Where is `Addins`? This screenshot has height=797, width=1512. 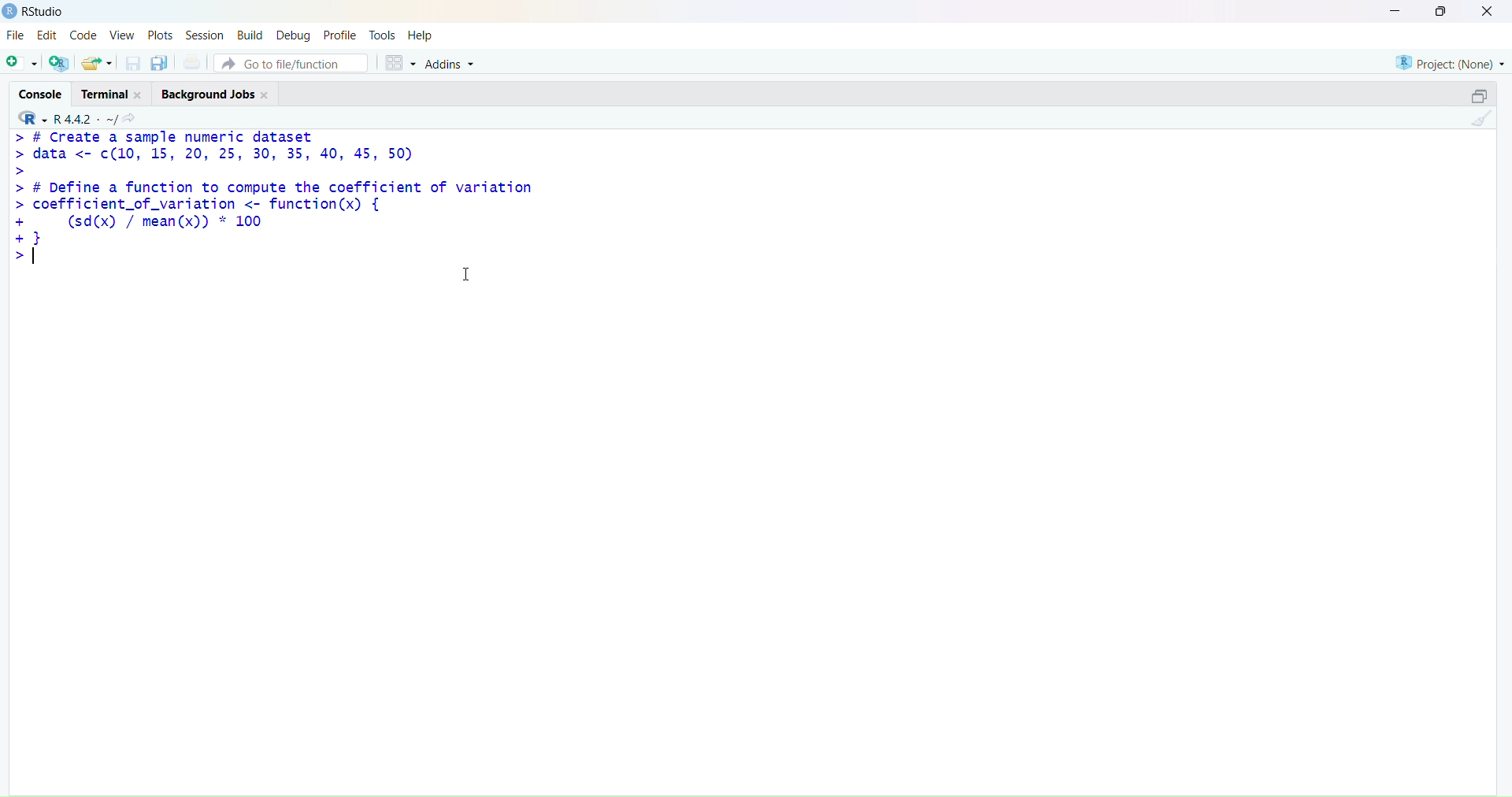
Addins is located at coordinates (451, 65).